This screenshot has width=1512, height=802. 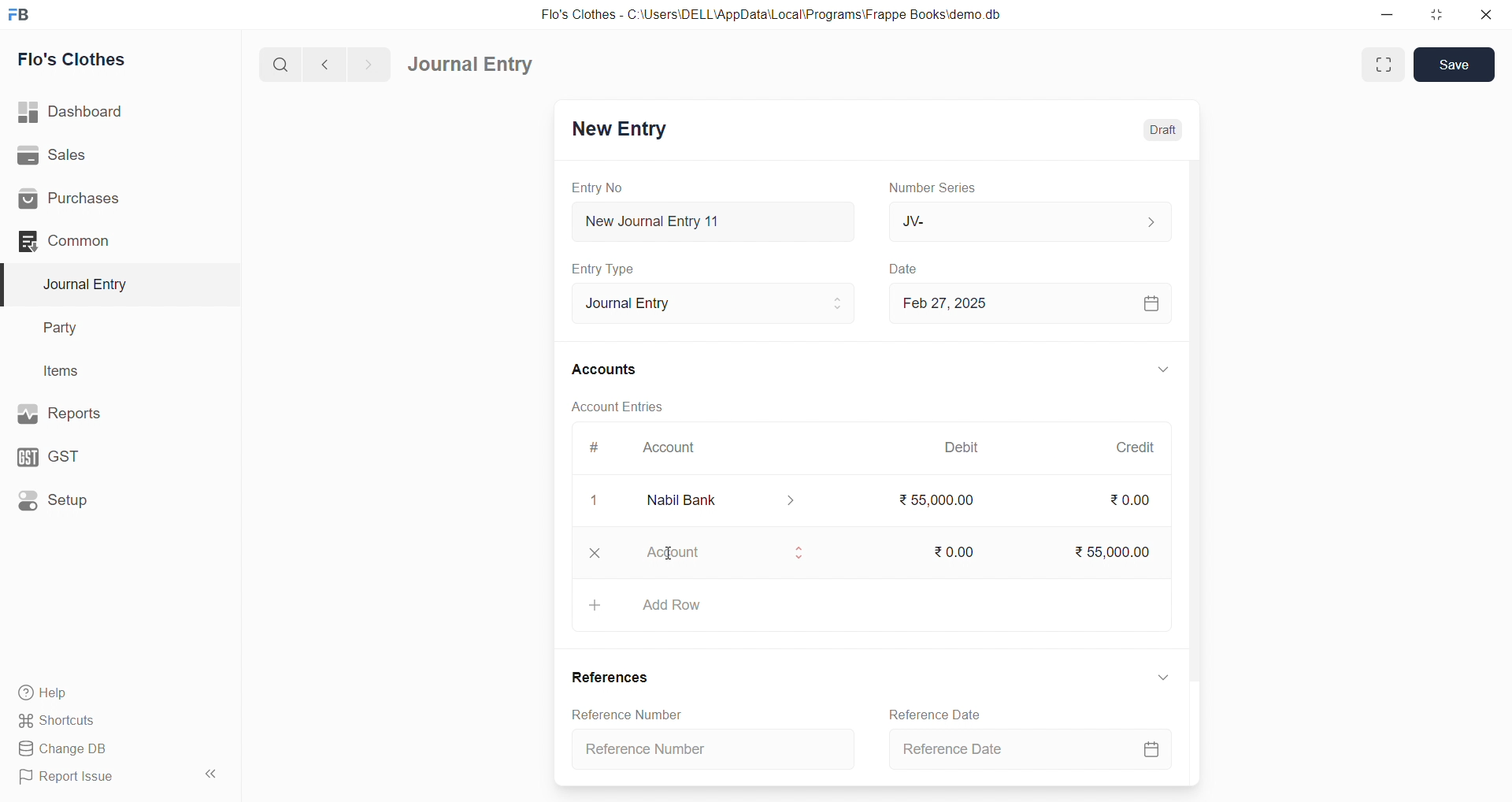 What do you see at coordinates (622, 130) in the screenshot?
I see `New Entry` at bounding box center [622, 130].